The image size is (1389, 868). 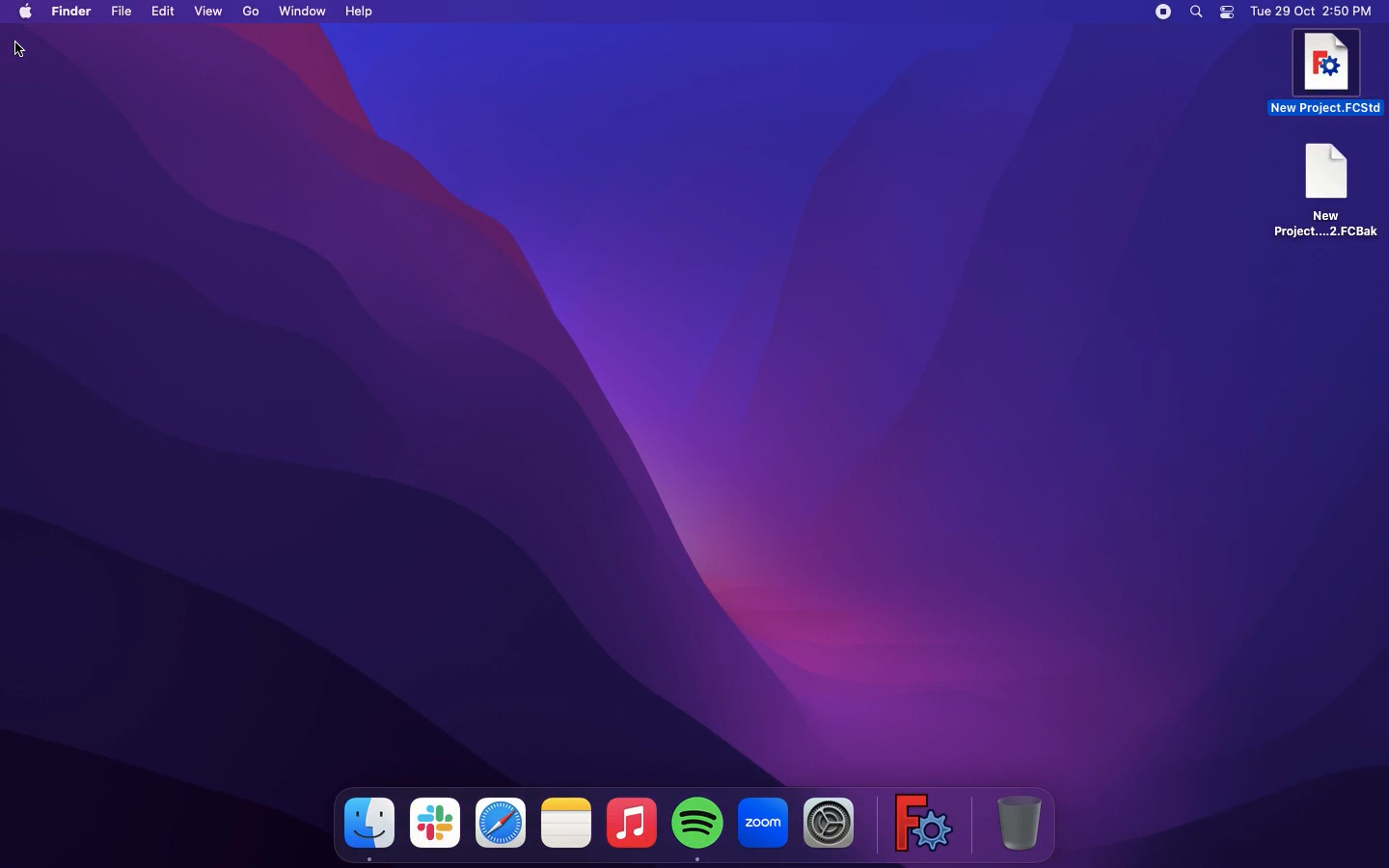 I want to click on FreeCAD, so click(x=1326, y=73).